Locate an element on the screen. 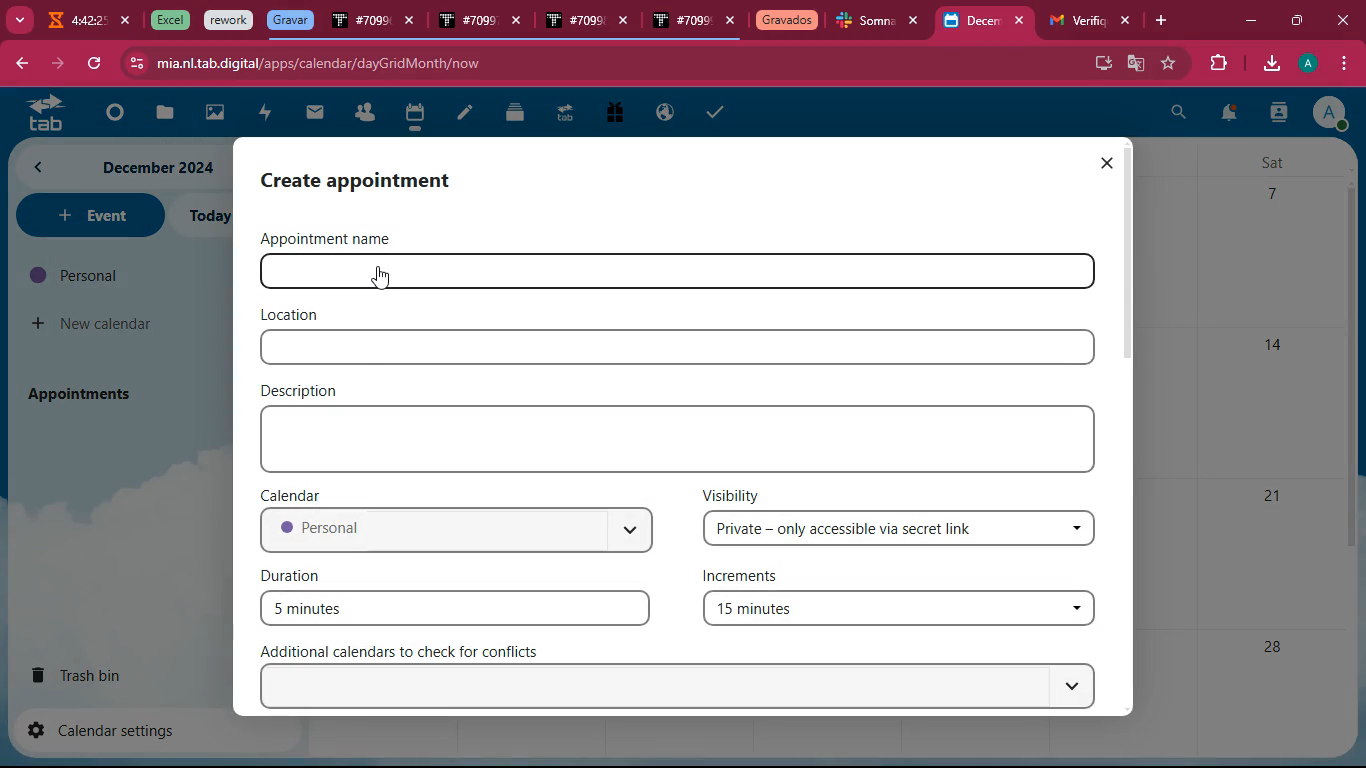 The height and width of the screenshot is (768, 1366). additional calendar is located at coordinates (411, 651).